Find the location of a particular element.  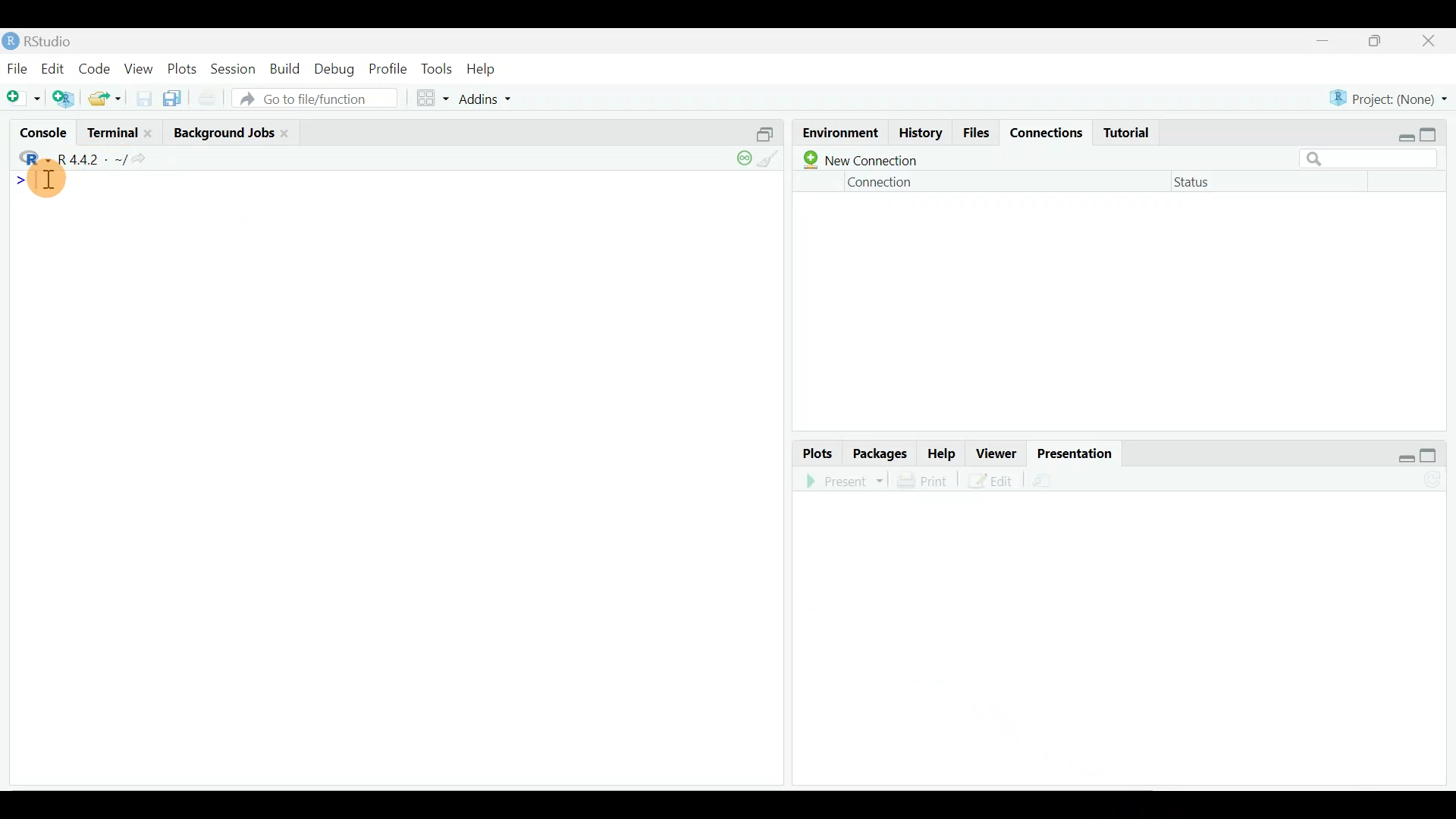

View is located at coordinates (140, 68).